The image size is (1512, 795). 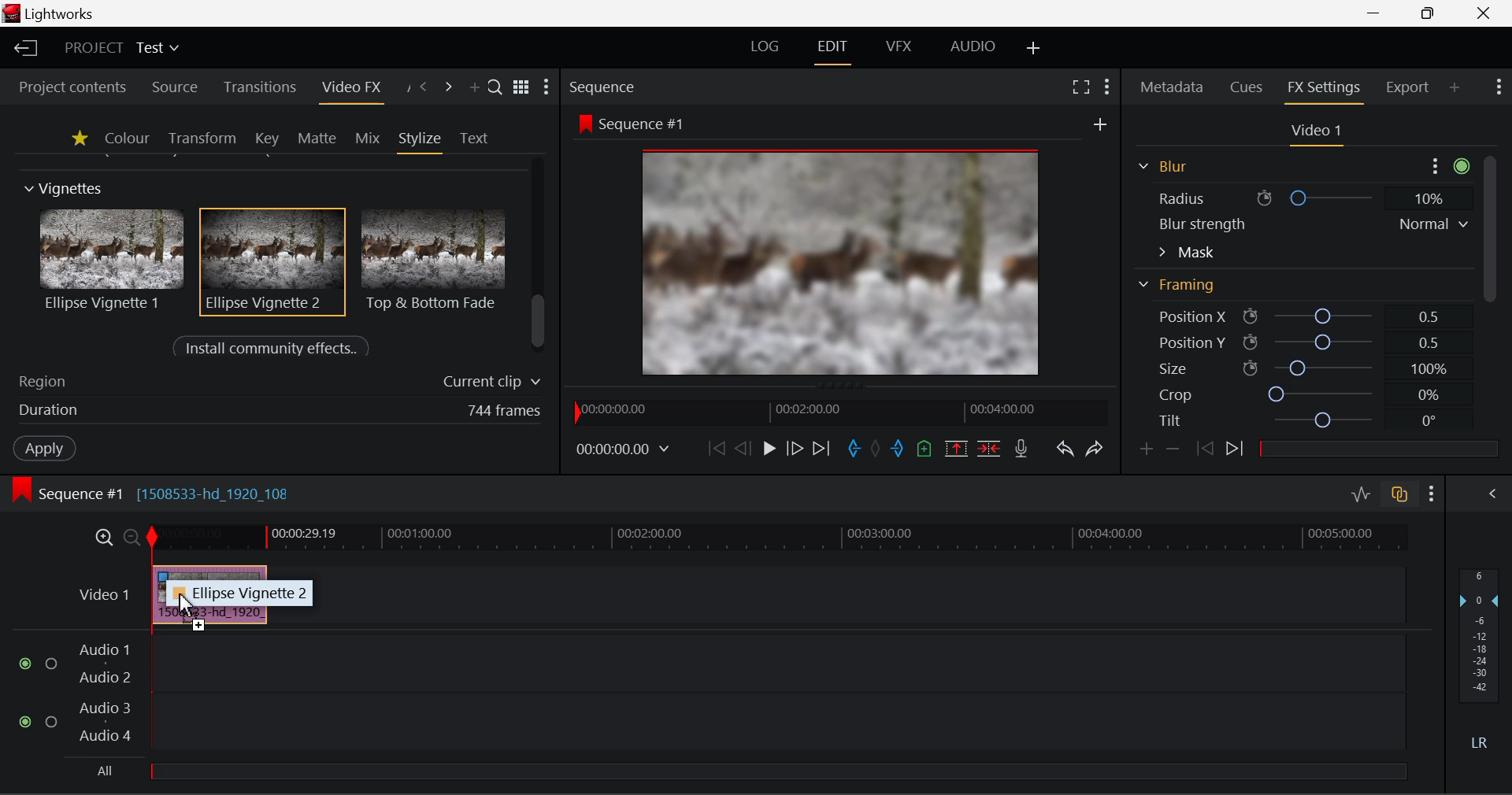 What do you see at coordinates (1446, 164) in the screenshot?
I see `more options` at bounding box center [1446, 164].